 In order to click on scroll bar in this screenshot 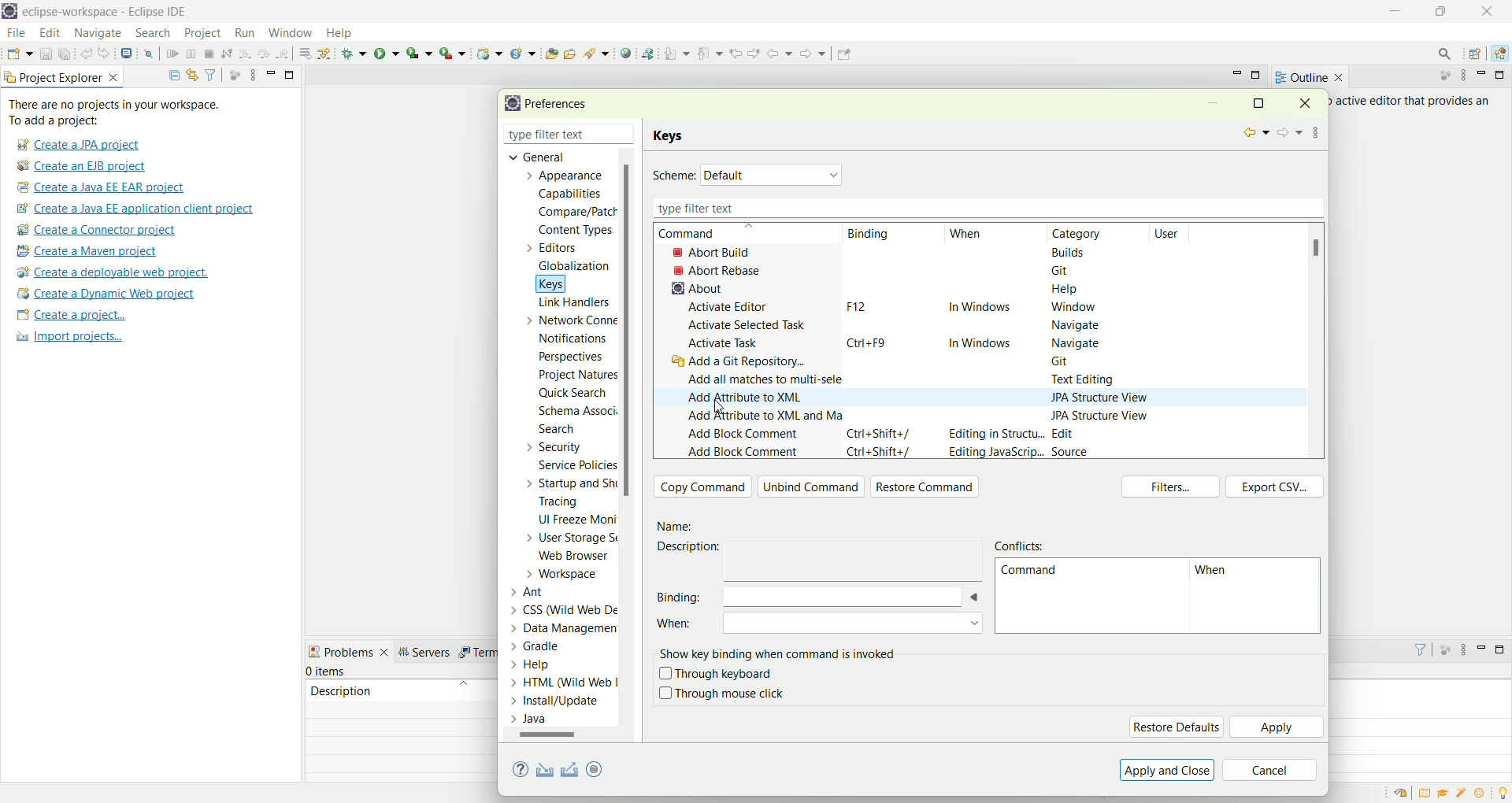, I will do `click(554, 738)`.